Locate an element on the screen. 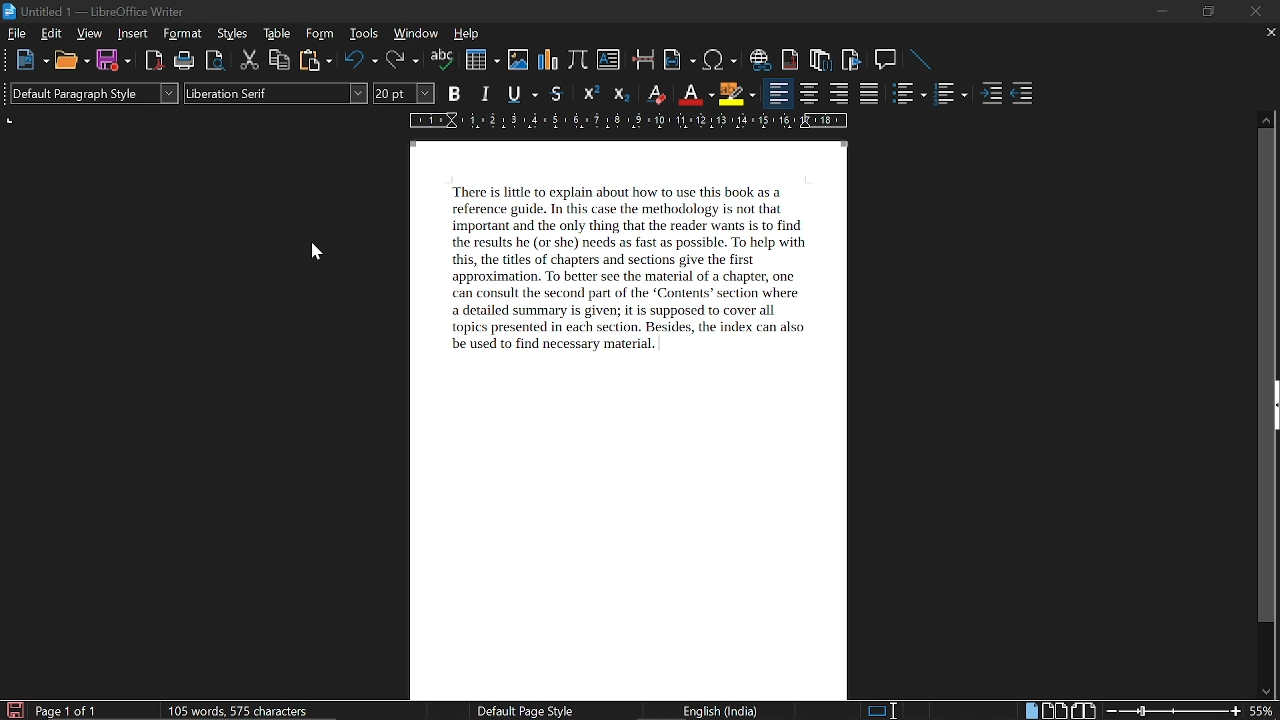 The image size is (1280, 720). highlight is located at coordinates (736, 95).